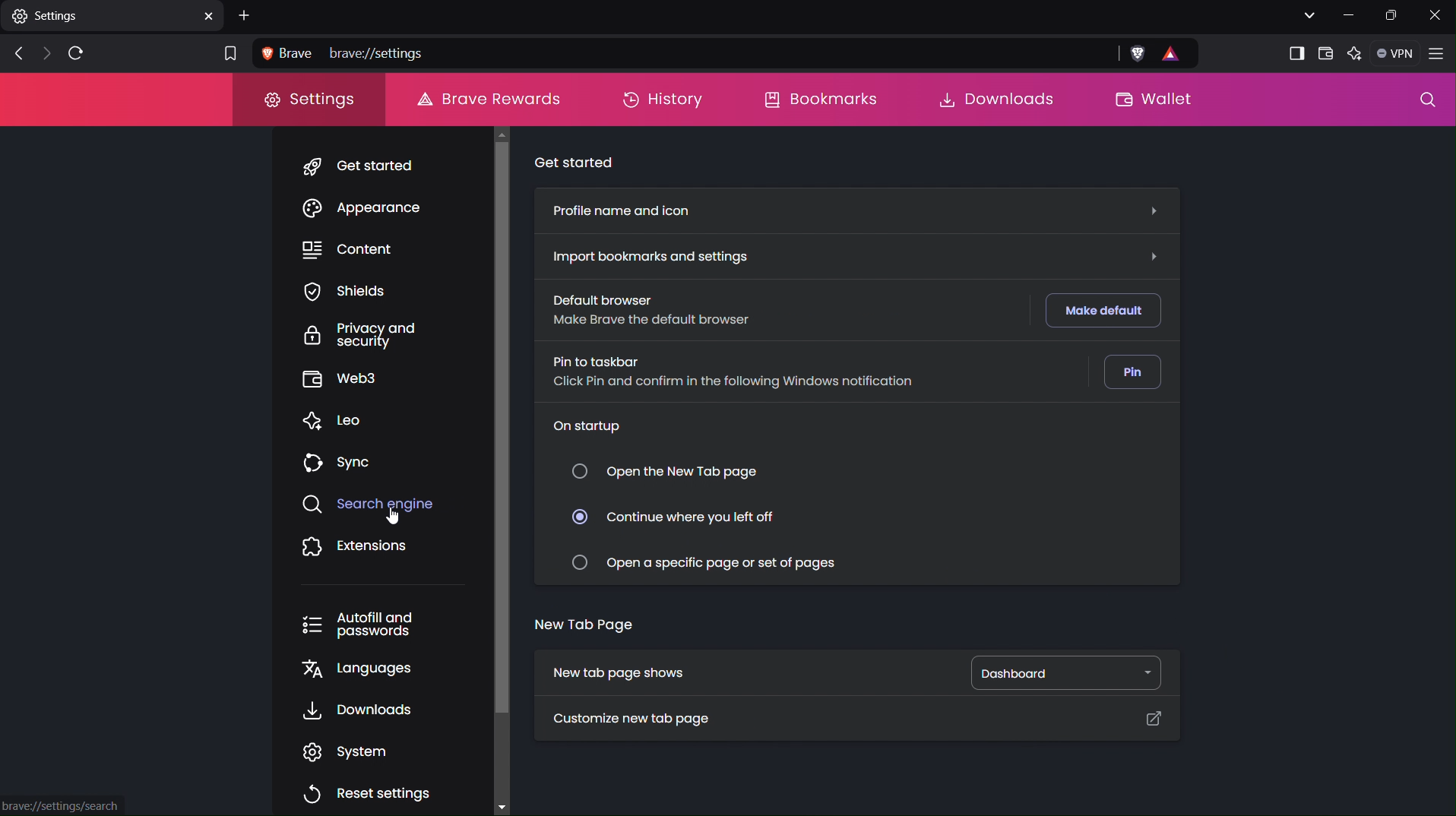  What do you see at coordinates (641, 720) in the screenshot?
I see `Customize new tab page` at bounding box center [641, 720].